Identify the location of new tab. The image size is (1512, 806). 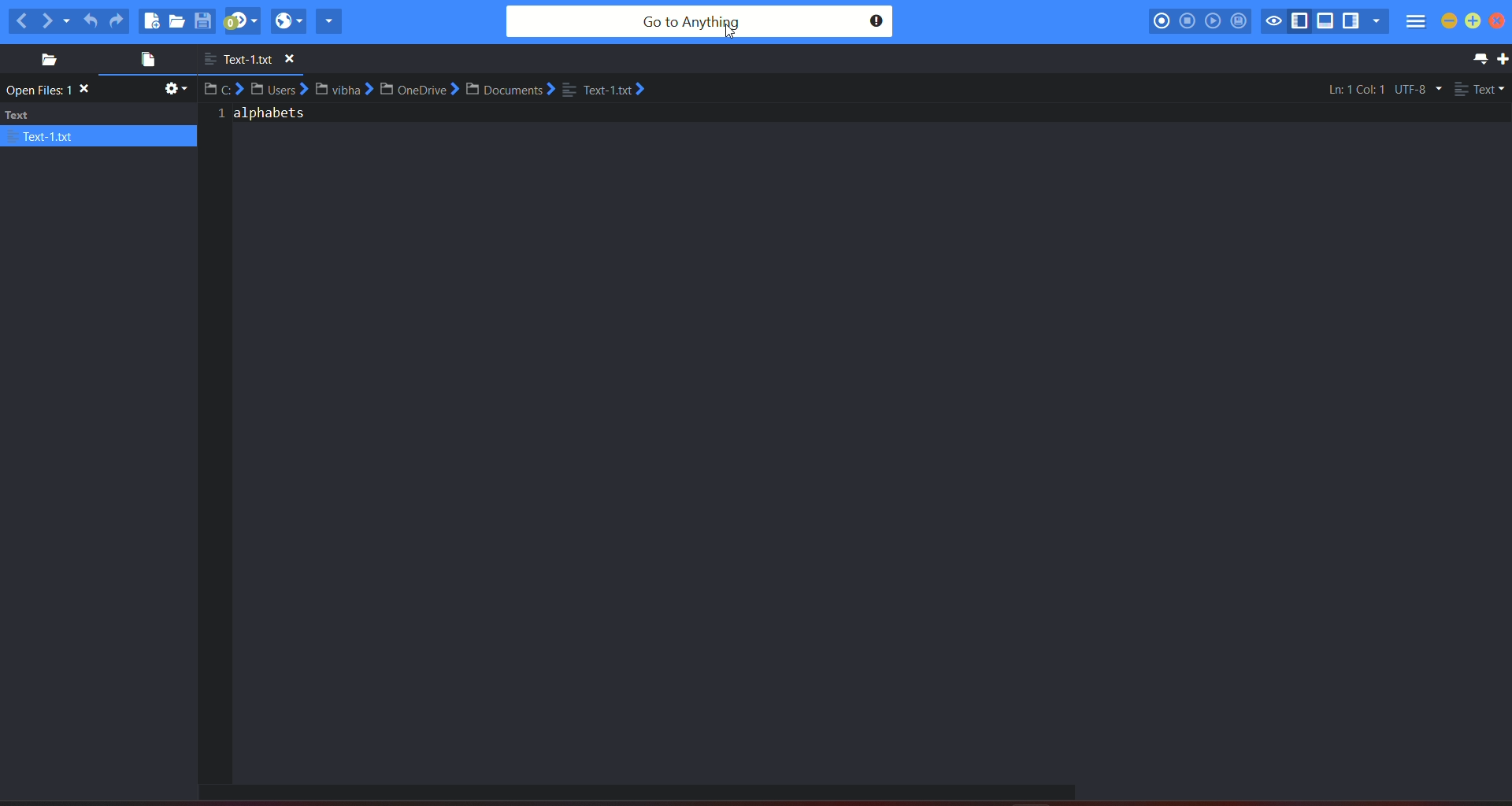
(1503, 59).